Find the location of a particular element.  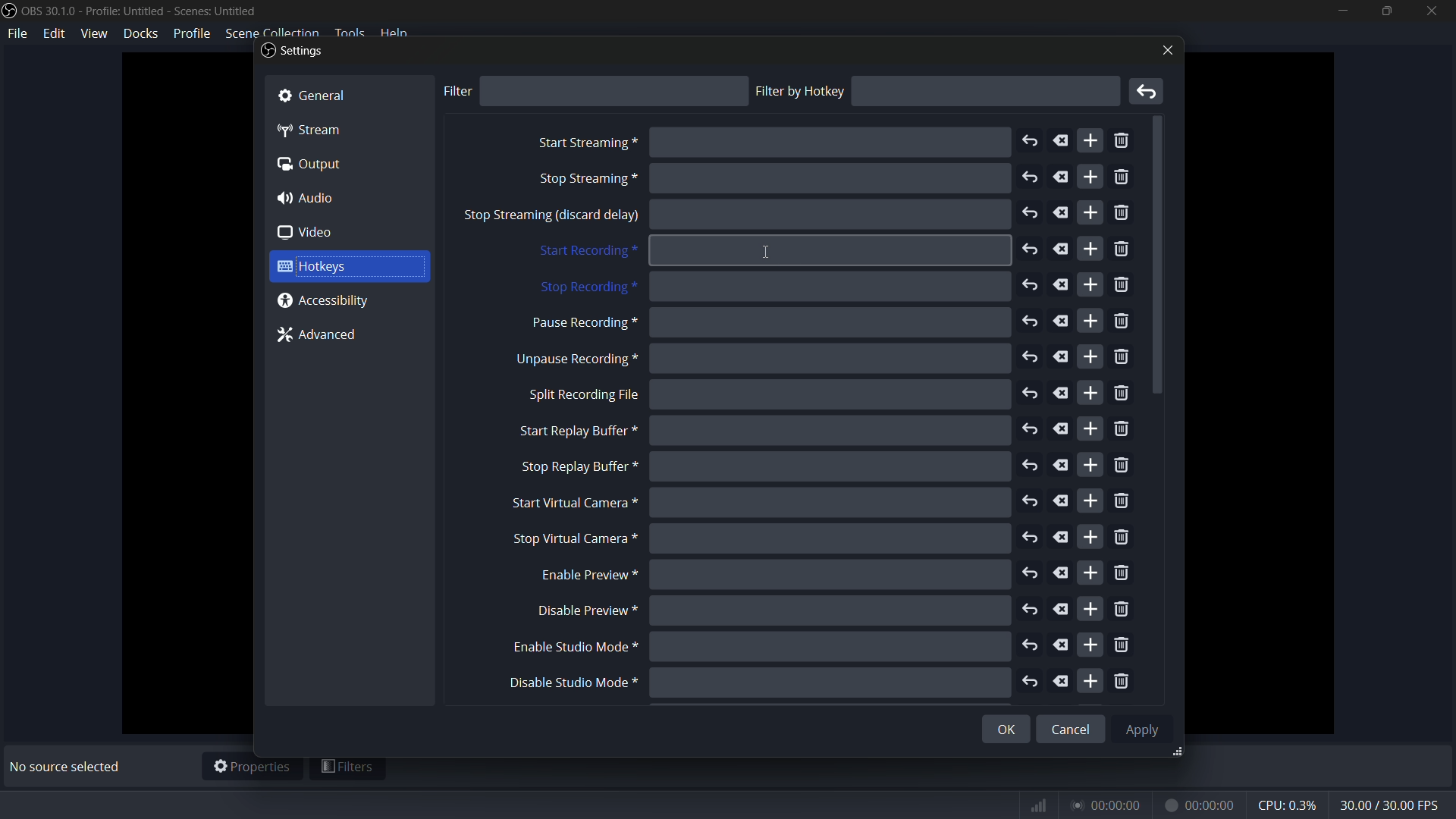

remove is located at coordinates (1121, 359).